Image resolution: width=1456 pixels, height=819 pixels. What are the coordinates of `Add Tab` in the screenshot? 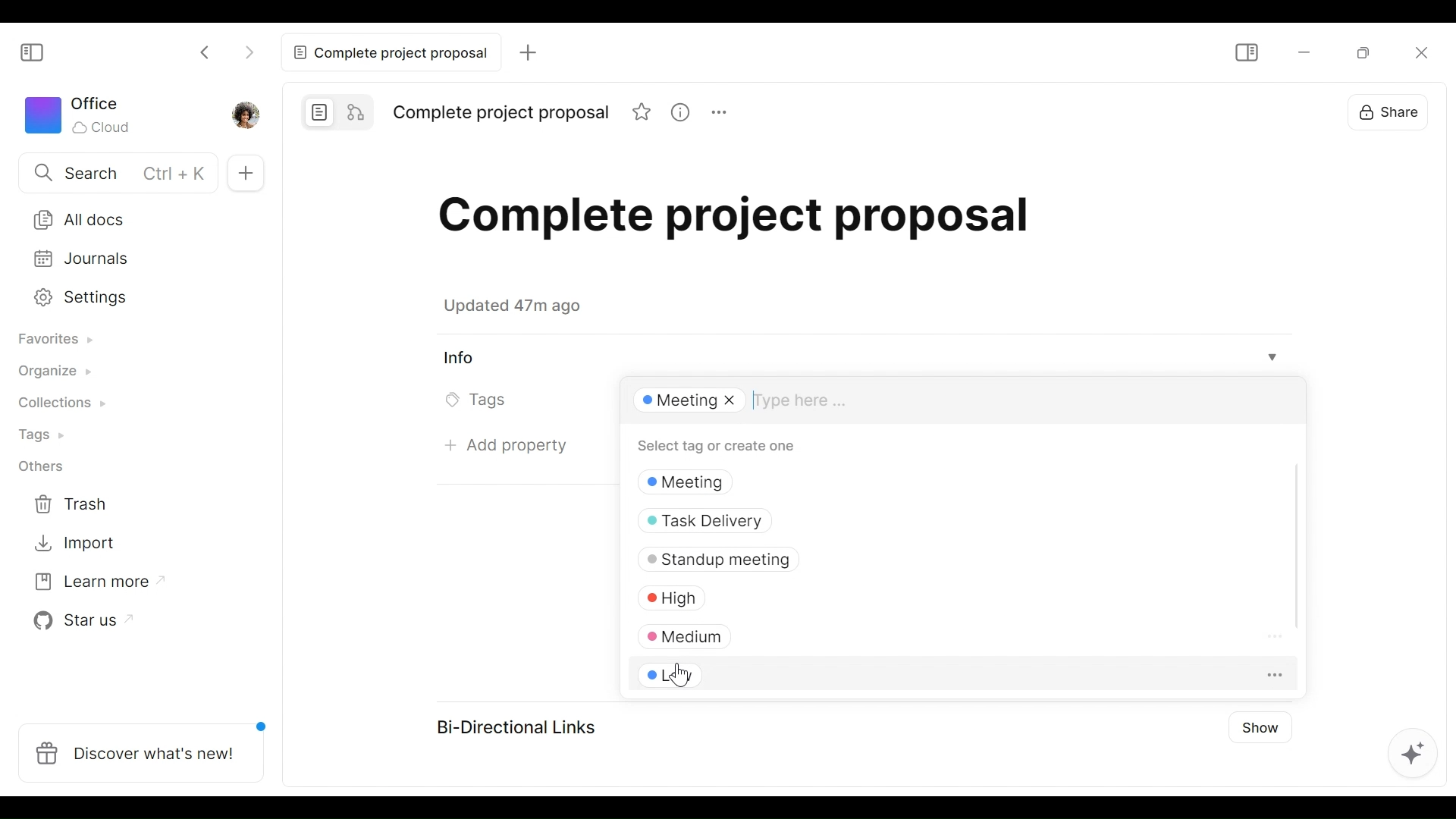 It's located at (246, 171).